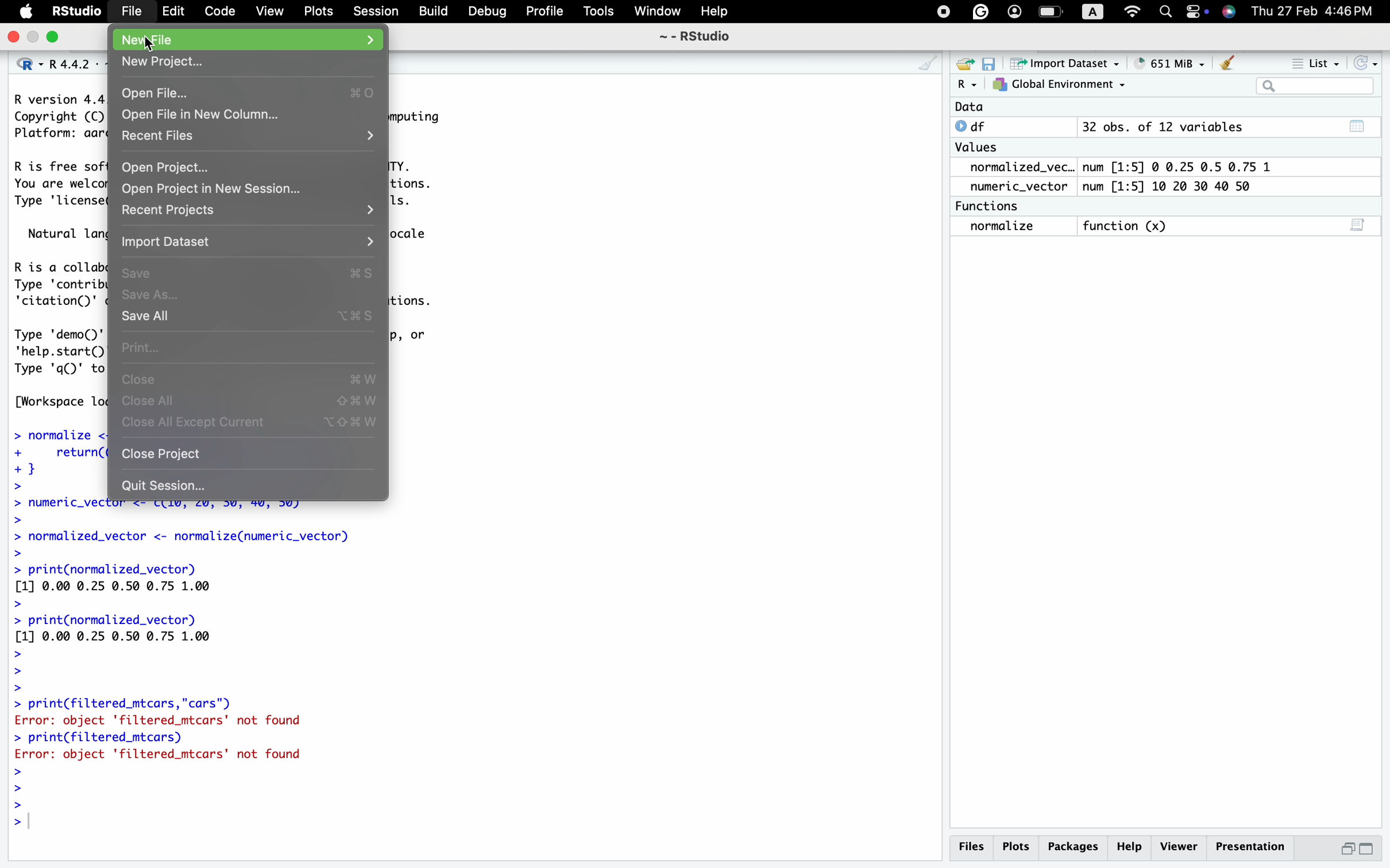  What do you see at coordinates (485, 12) in the screenshot?
I see `Debug` at bounding box center [485, 12].